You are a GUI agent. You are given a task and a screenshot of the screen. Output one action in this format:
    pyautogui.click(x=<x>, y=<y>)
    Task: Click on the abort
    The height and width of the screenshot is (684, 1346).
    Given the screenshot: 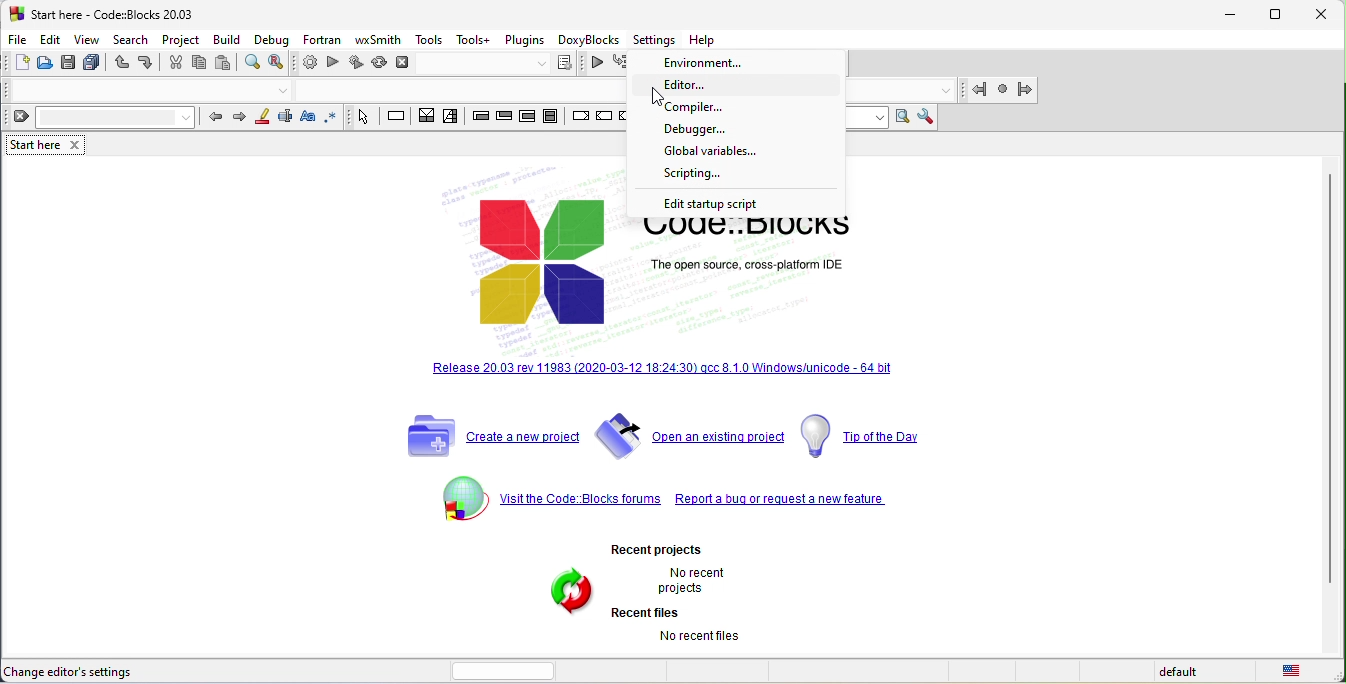 What is the action you would take?
    pyautogui.click(x=408, y=61)
    